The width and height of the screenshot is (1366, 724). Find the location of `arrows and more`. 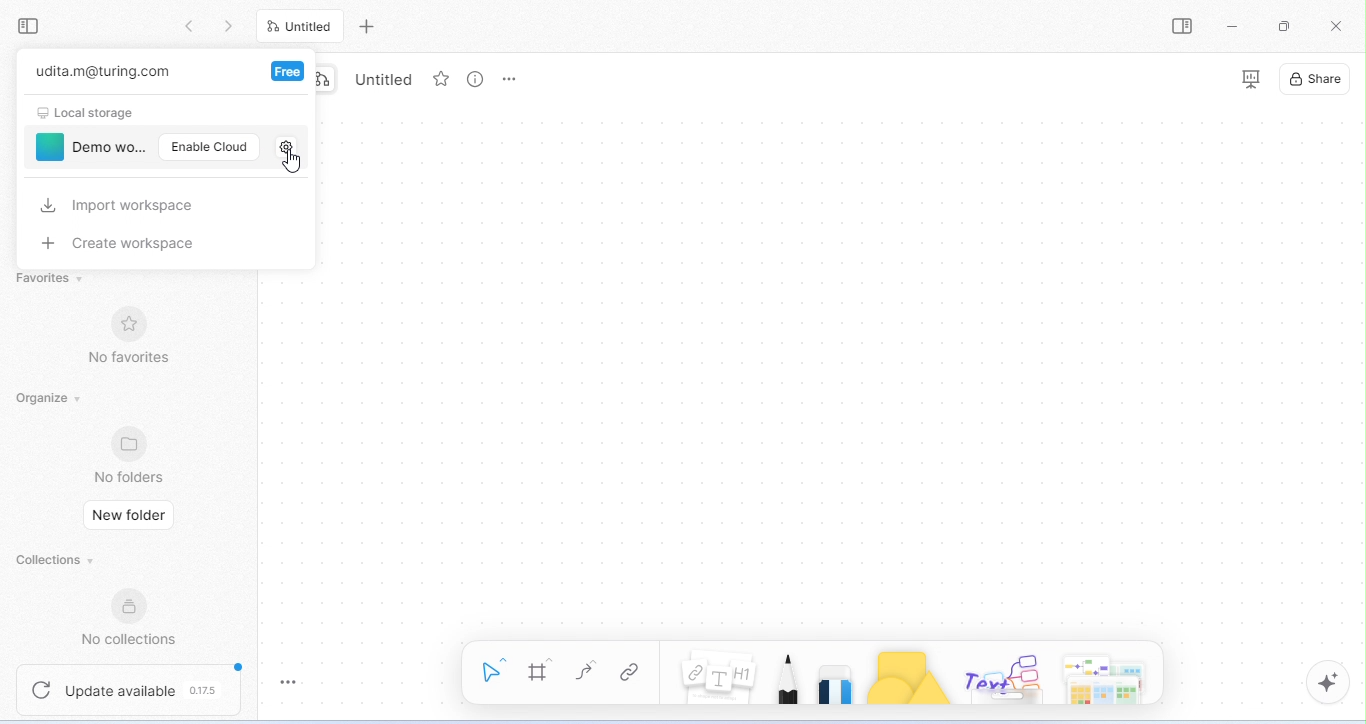

arrows and more is located at coordinates (1103, 678).